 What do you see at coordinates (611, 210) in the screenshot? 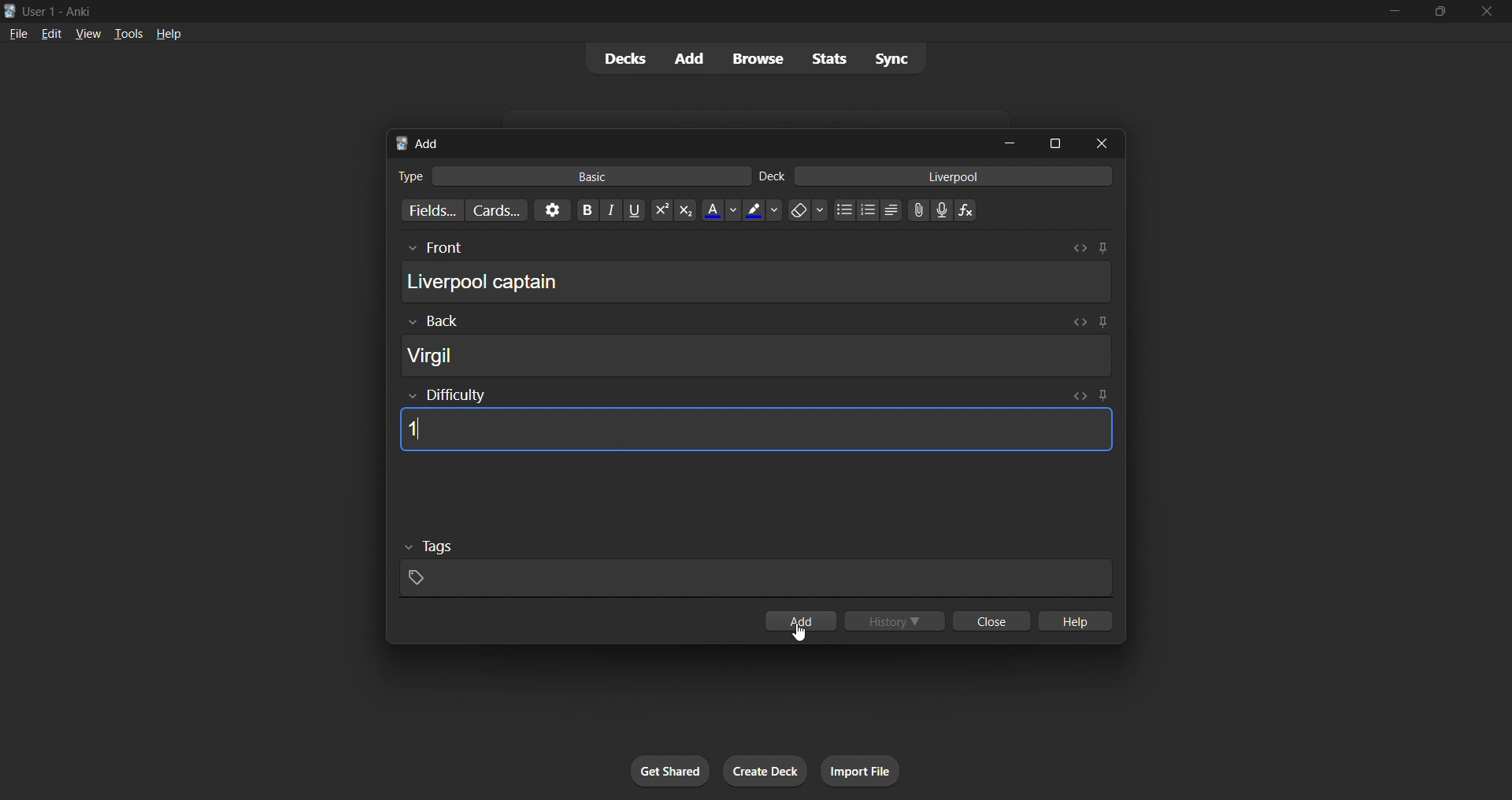
I see `Italics` at bounding box center [611, 210].